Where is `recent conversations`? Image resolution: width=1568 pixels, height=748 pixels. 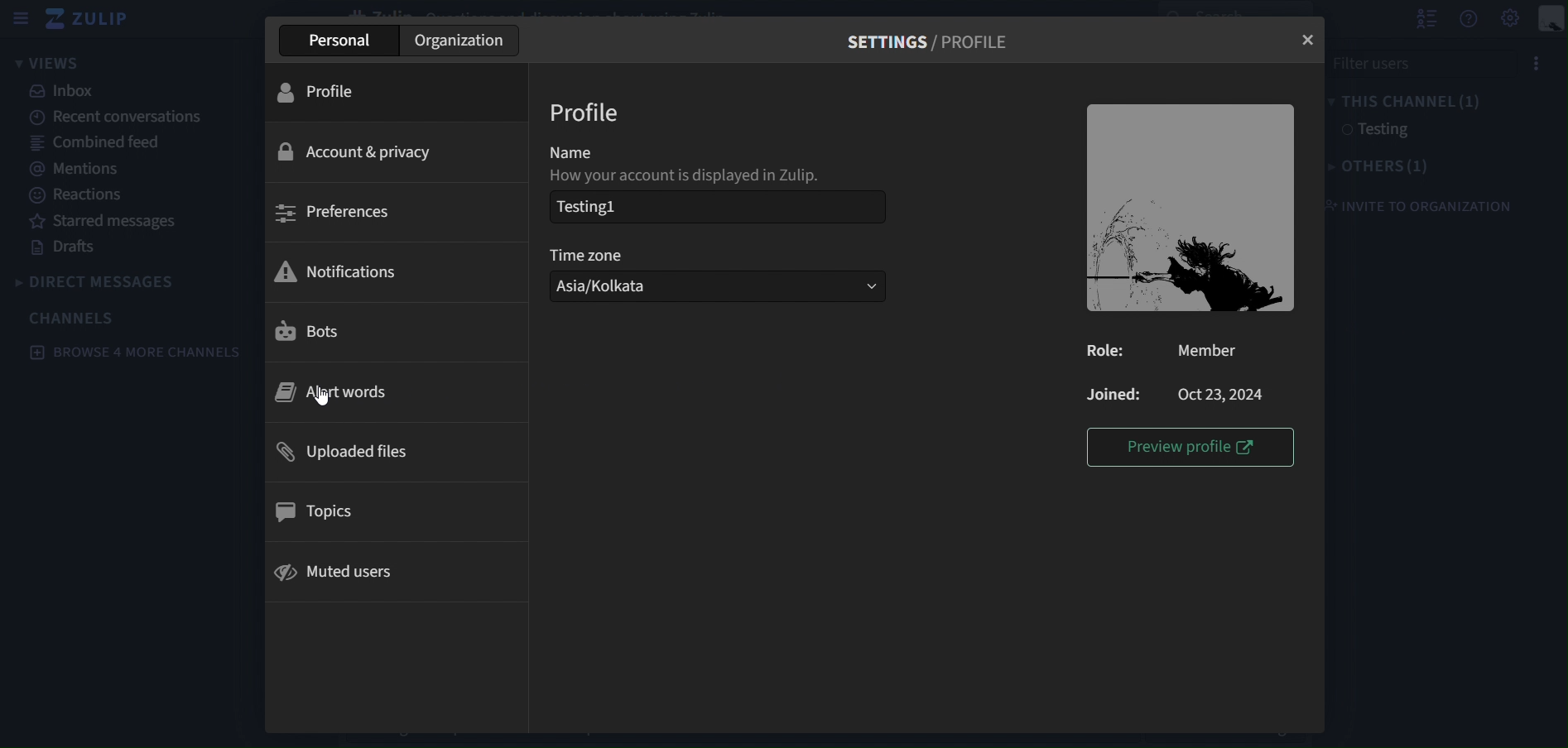
recent conversations is located at coordinates (112, 117).